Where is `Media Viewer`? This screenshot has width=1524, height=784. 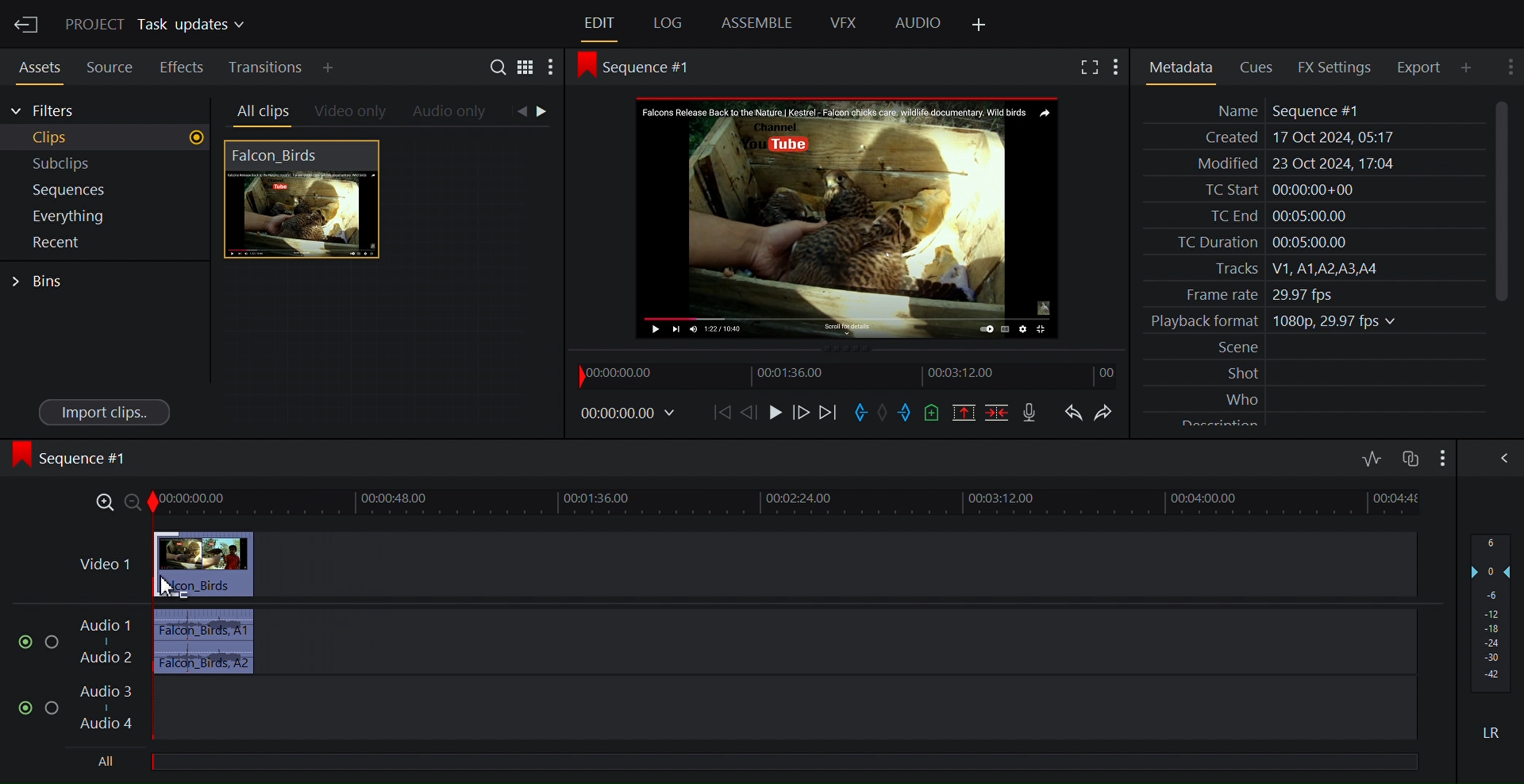 Media Viewer is located at coordinates (850, 217).